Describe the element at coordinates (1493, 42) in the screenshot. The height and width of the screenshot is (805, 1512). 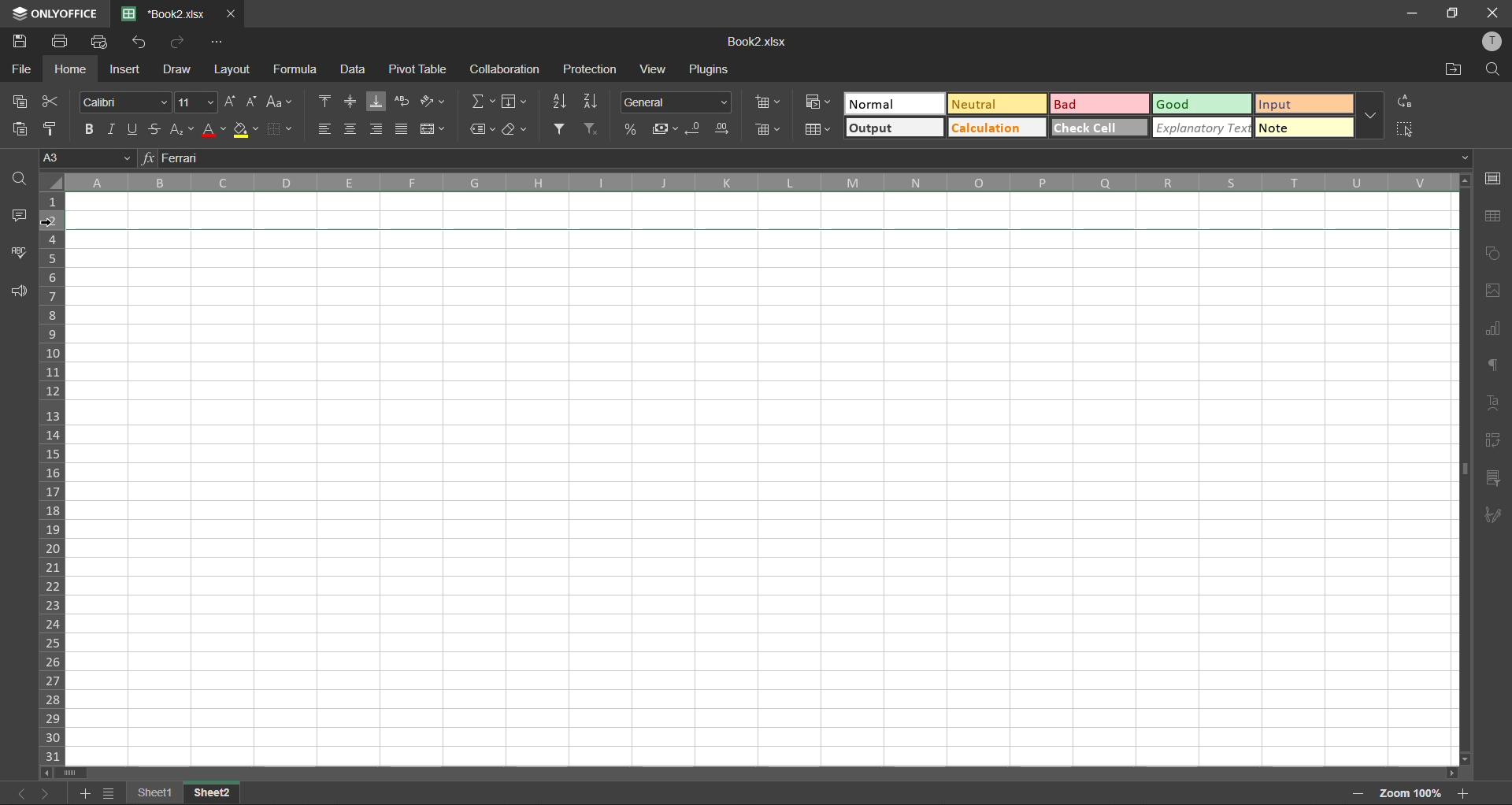
I see `profile` at that location.